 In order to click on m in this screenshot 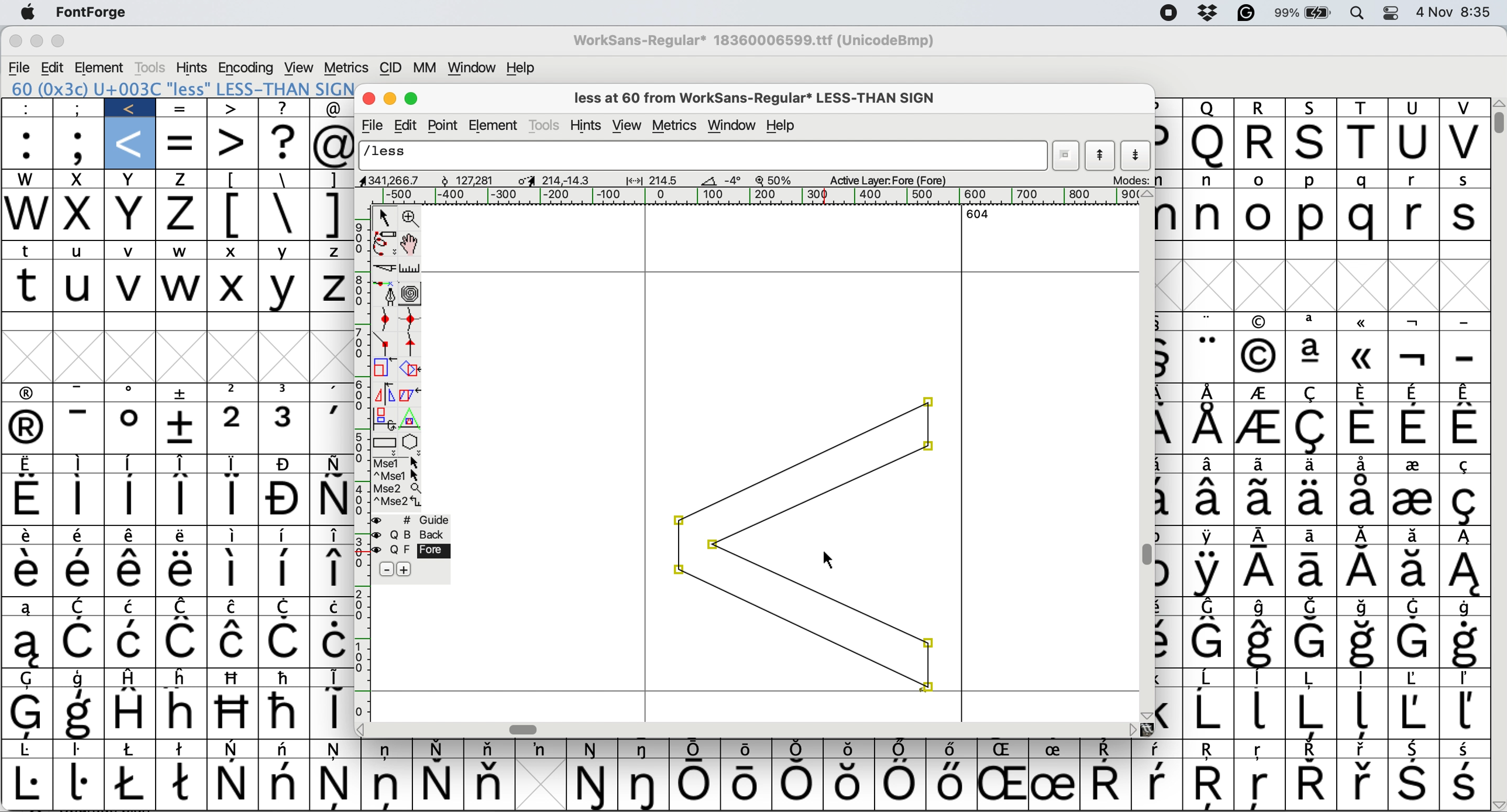, I will do `click(1169, 218)`.